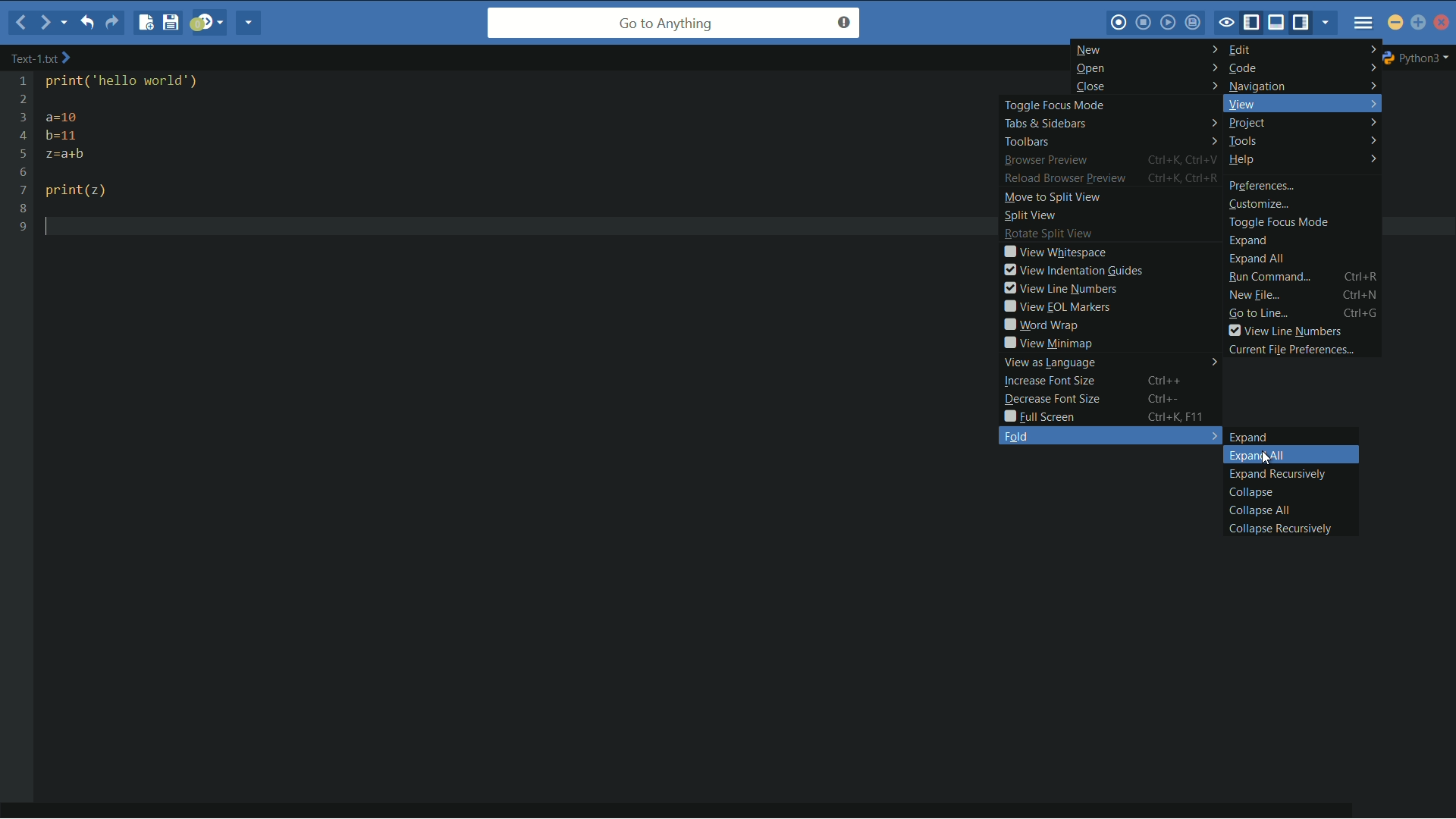 The image size is (1456, 819). I want to click on expand all, so click(1261, 259).